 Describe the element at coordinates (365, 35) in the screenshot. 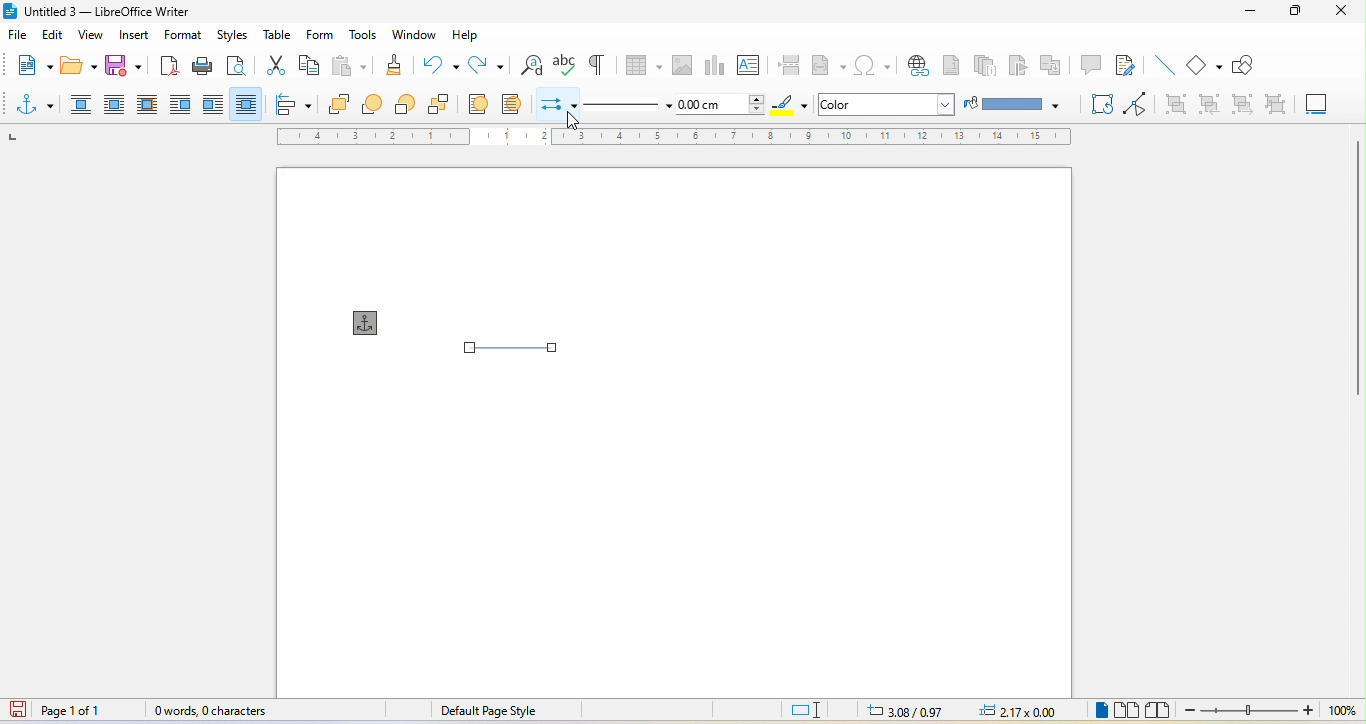

I see `tools` at that location.